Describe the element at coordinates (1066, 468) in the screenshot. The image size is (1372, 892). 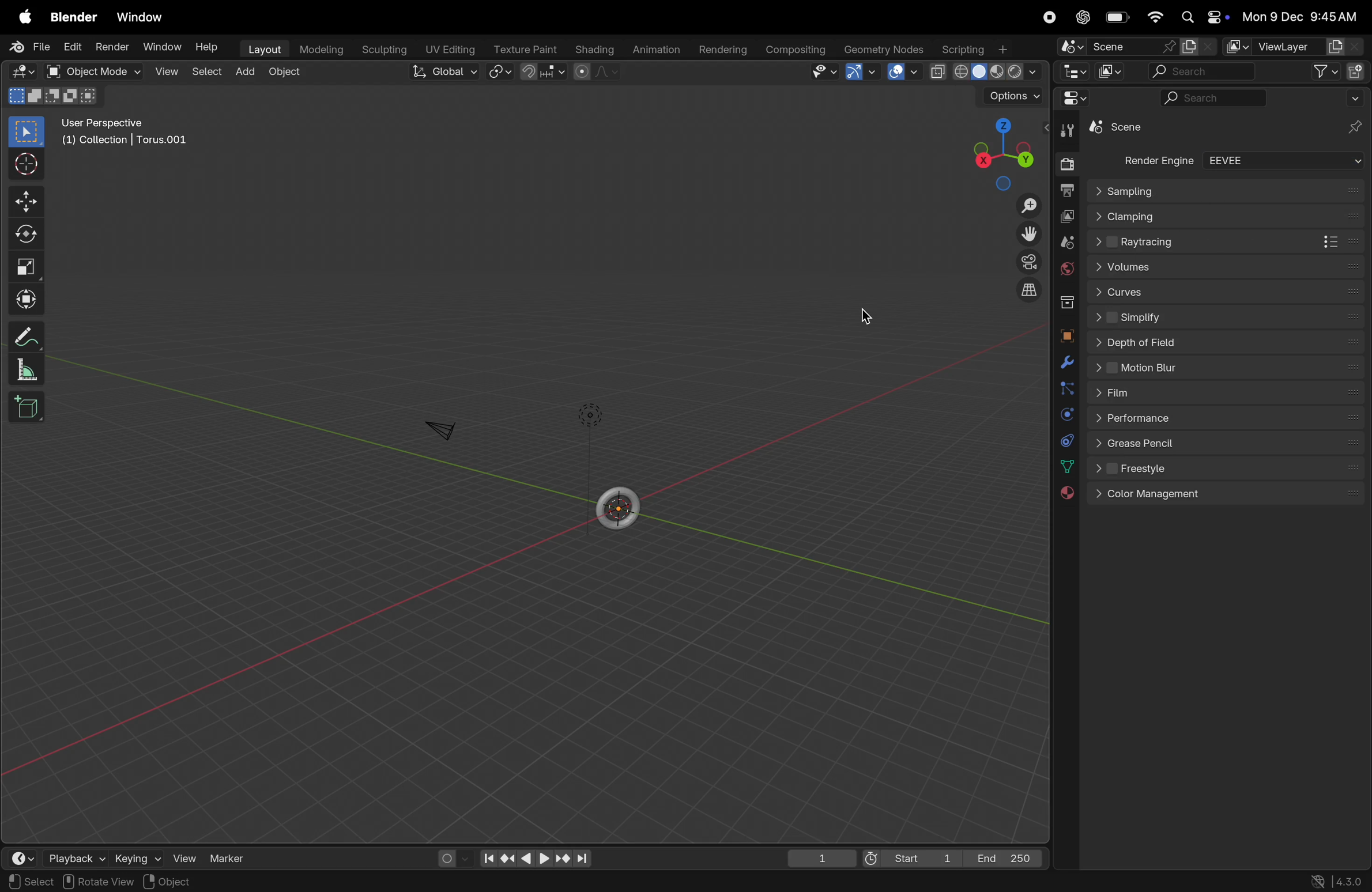
I see `data` at that location.